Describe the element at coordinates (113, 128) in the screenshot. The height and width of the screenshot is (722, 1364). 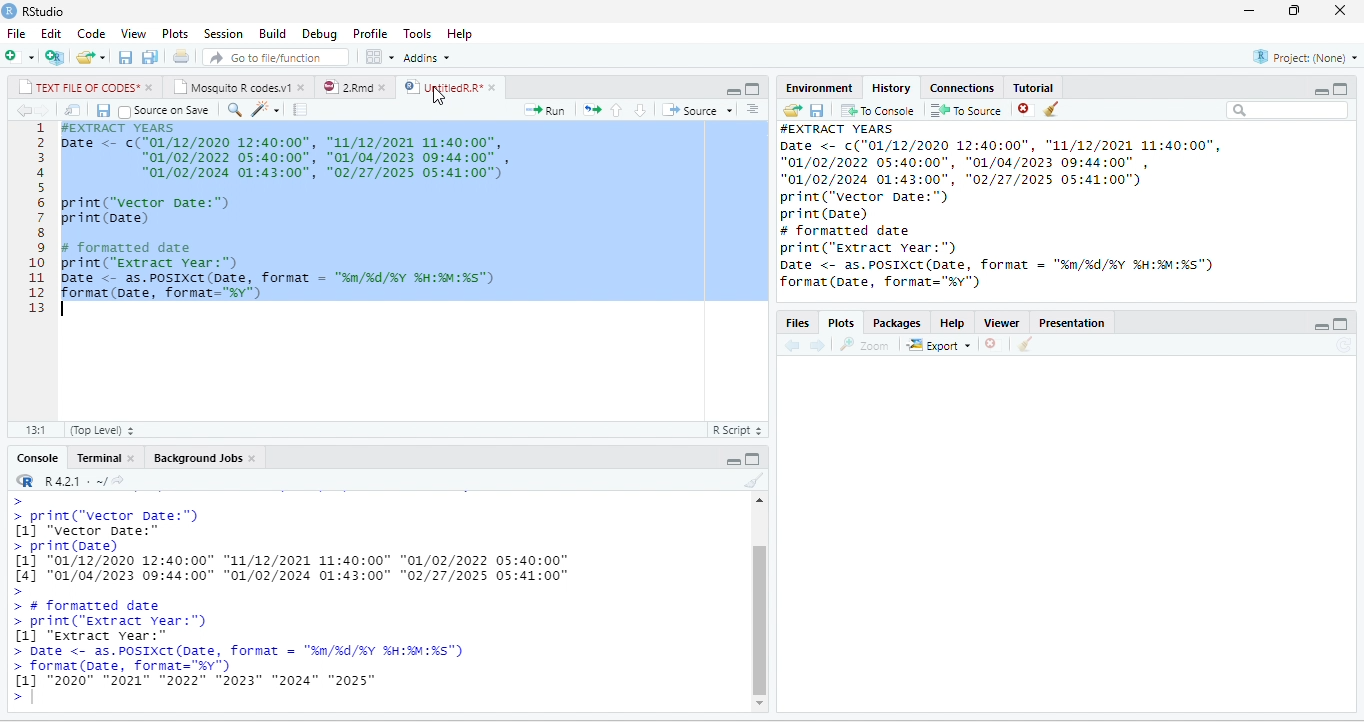
I see `#EXTRACT YEARS` at that location.